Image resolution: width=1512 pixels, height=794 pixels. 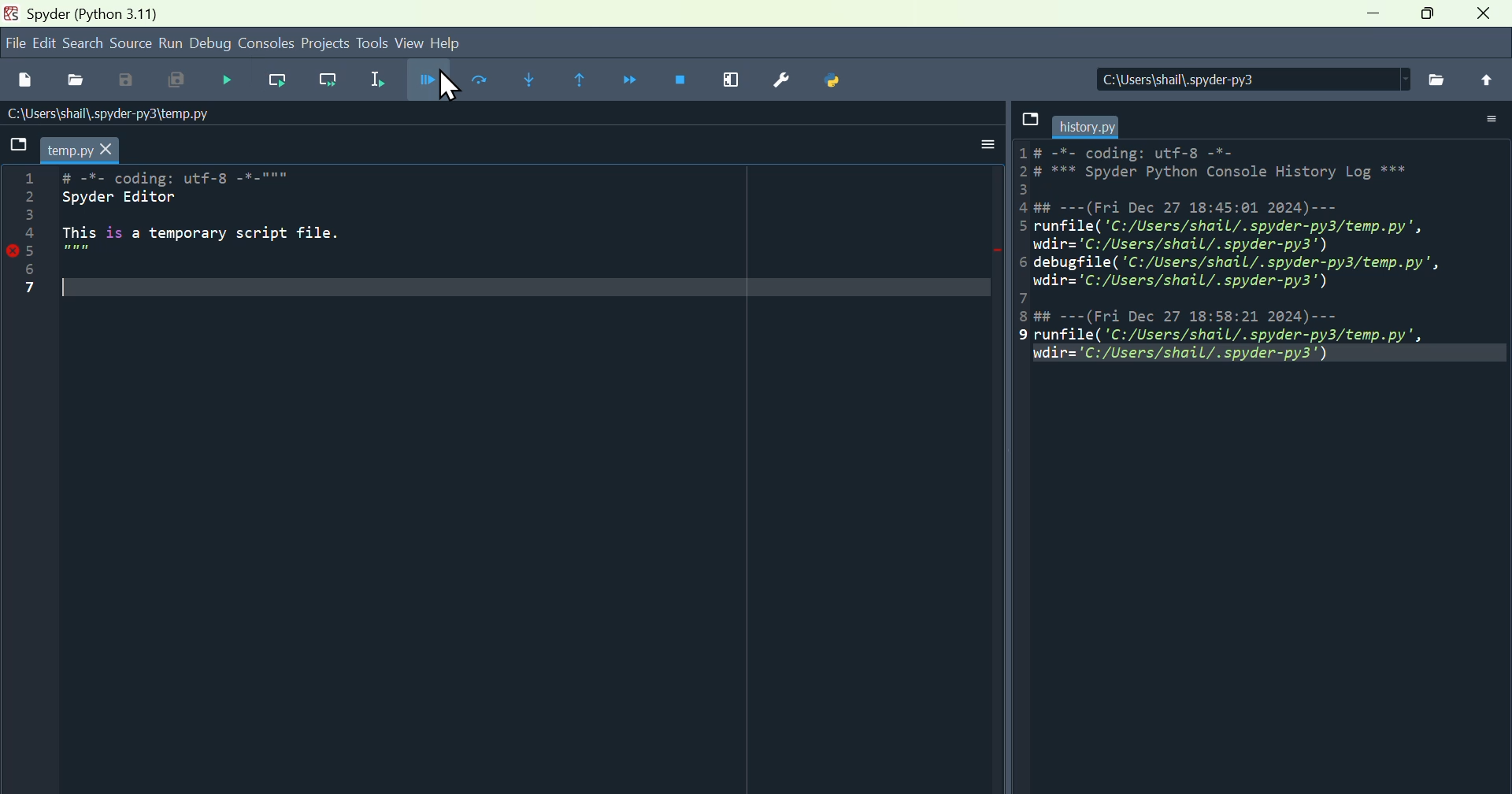 I want to click on , so click(x=175, y=43).